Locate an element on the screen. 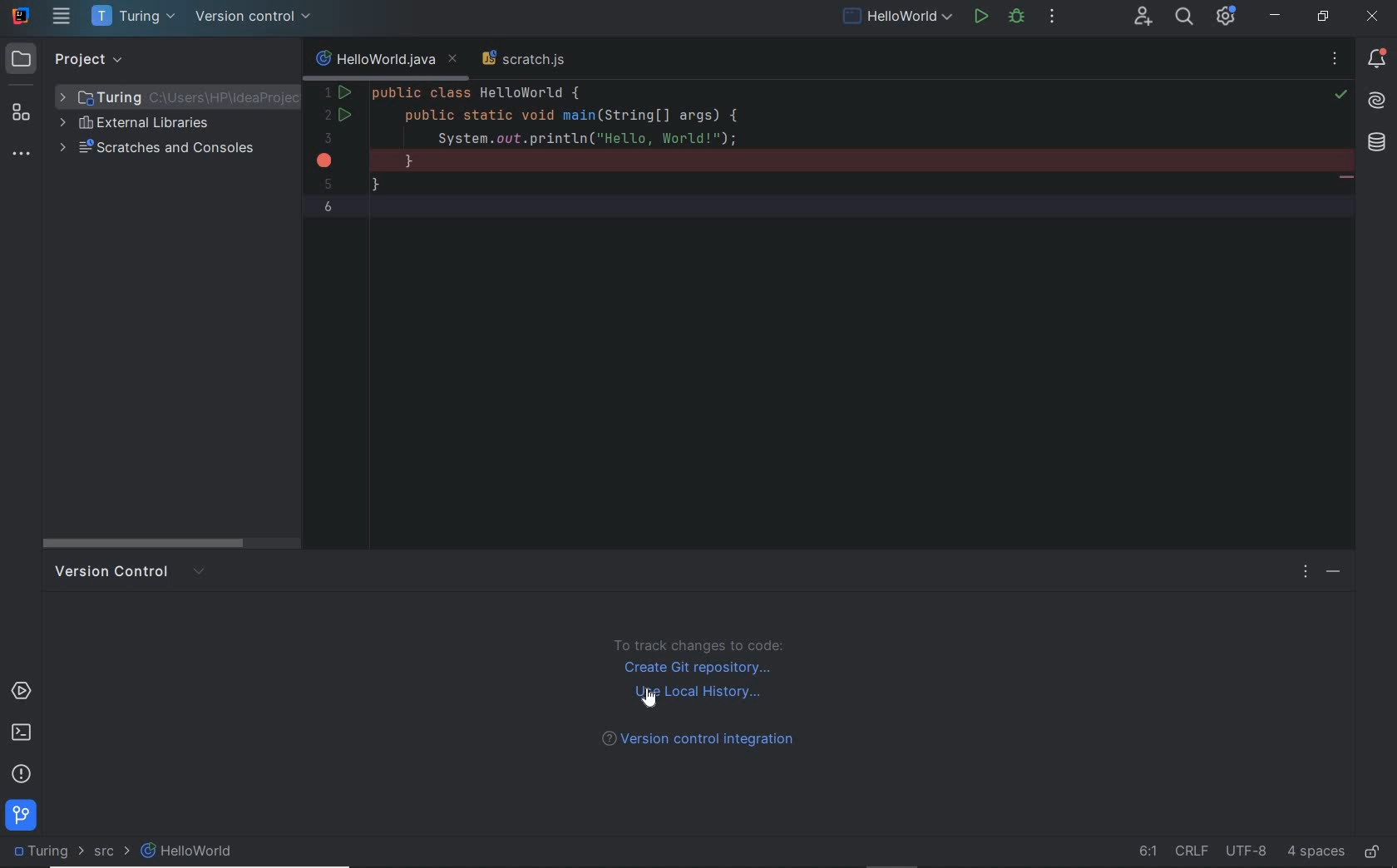 The height and width of the screenshot is (868, 1397). no problems found is located at coordinates (1335, 61).